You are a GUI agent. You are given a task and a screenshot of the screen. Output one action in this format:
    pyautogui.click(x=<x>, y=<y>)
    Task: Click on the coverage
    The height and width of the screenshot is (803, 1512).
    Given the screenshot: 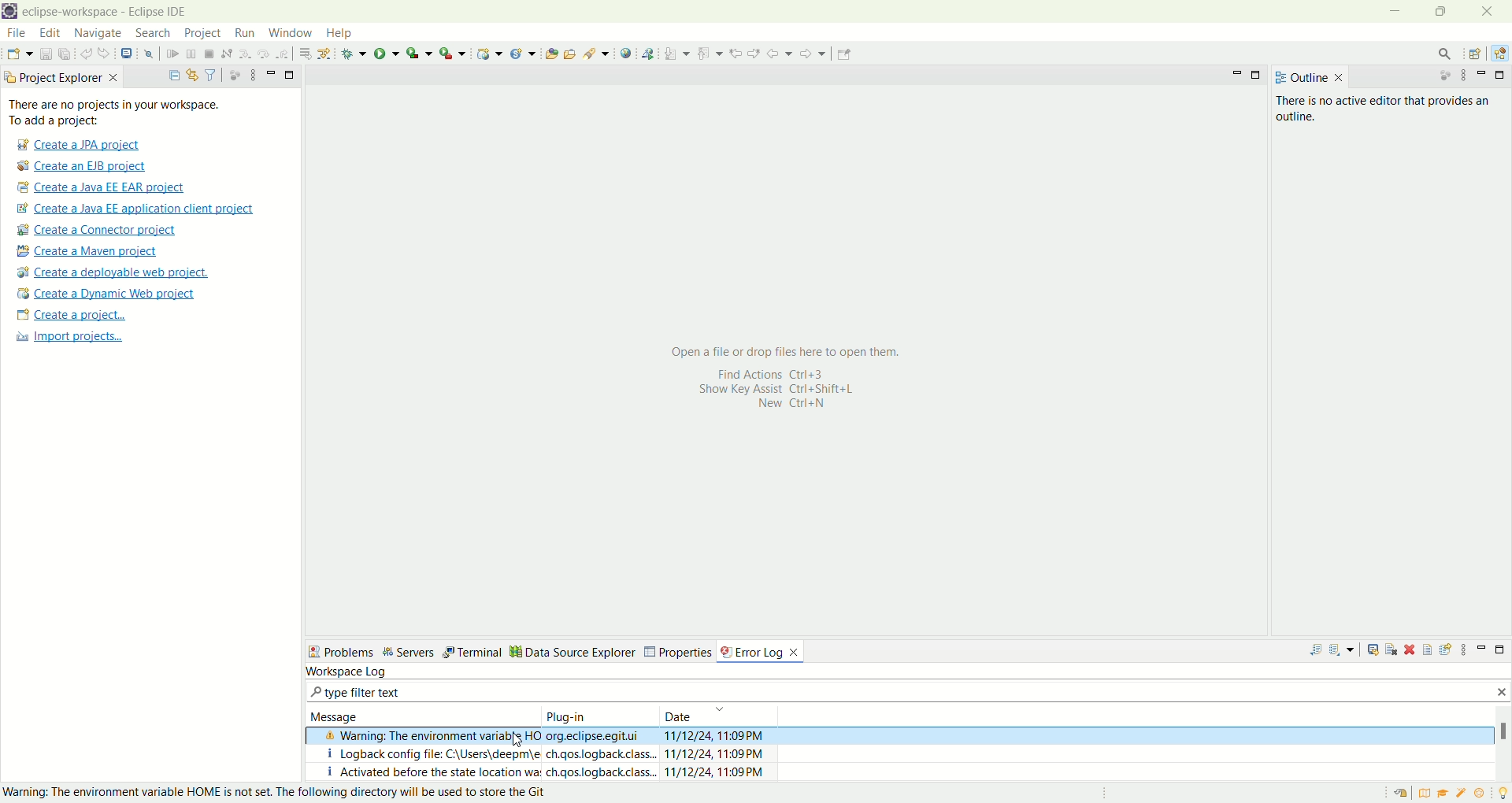 What is the action you would take?
    pyautogui.click(x=418, y=53)
    